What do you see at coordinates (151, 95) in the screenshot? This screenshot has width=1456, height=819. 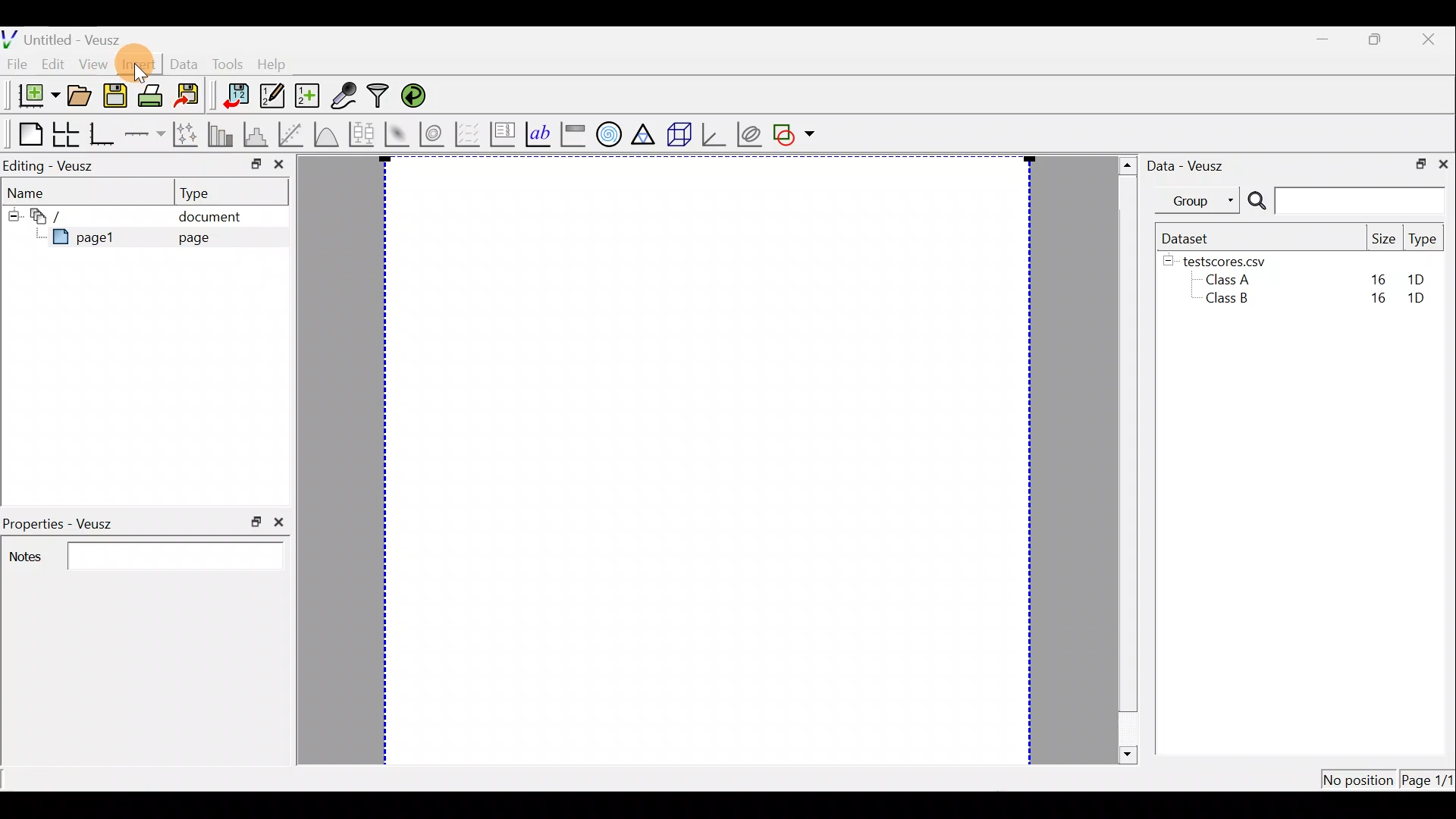 I see `Print the document` at bounding box center [151, 95].